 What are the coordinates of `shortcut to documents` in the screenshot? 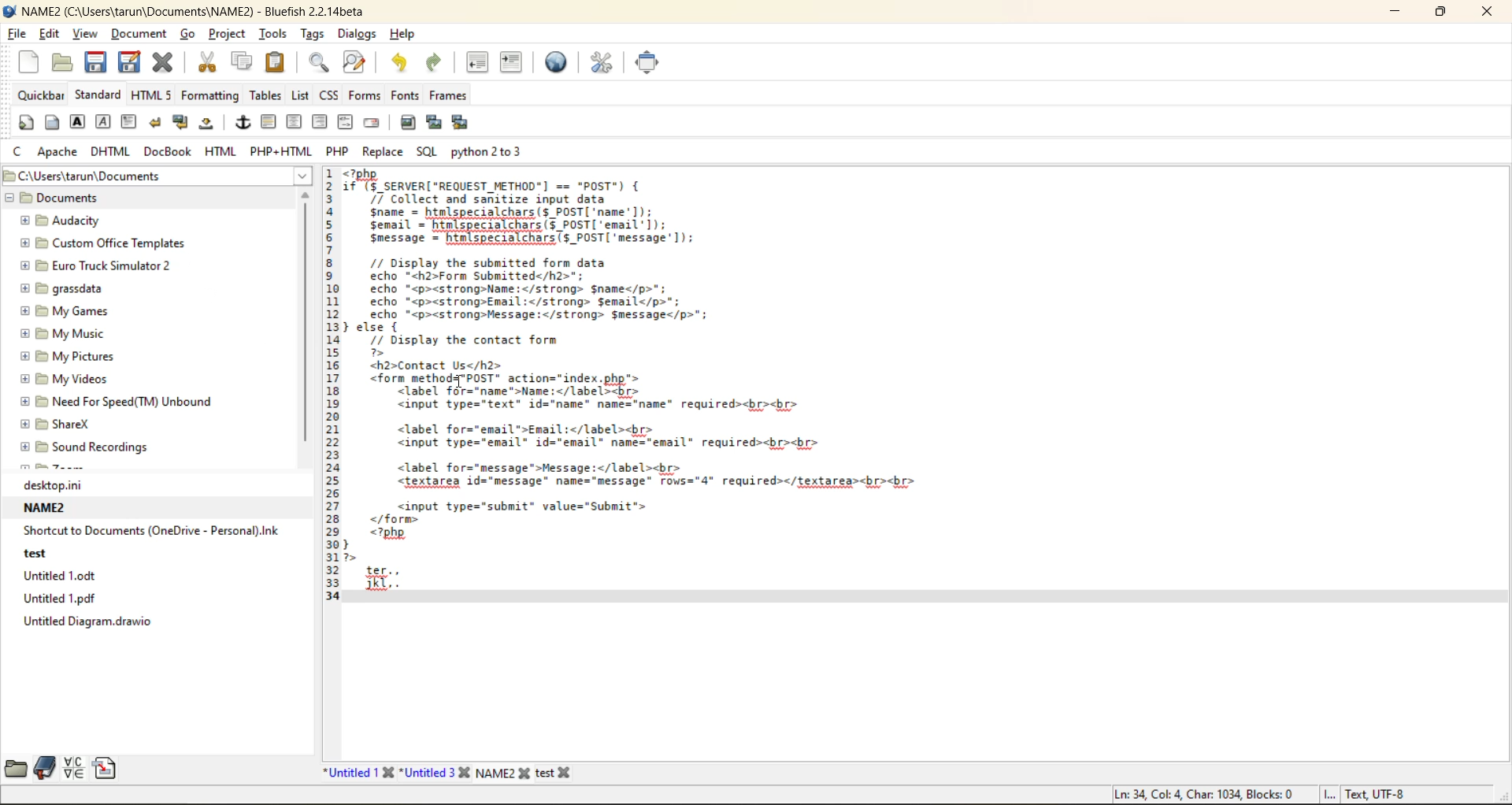 It's located at (152, 532).